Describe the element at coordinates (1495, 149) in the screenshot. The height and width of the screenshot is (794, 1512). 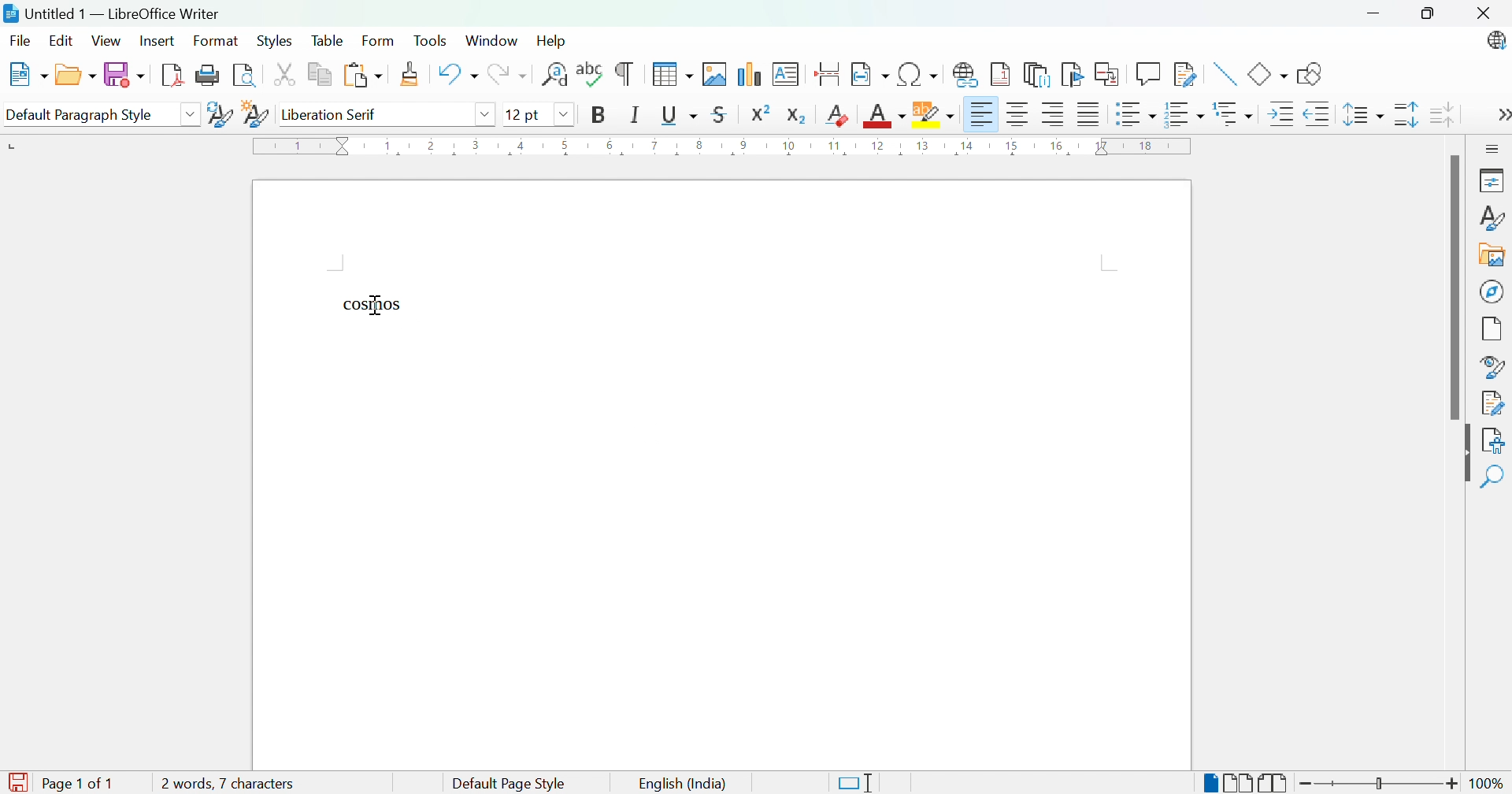
I see `Sidebar settings` at that location.